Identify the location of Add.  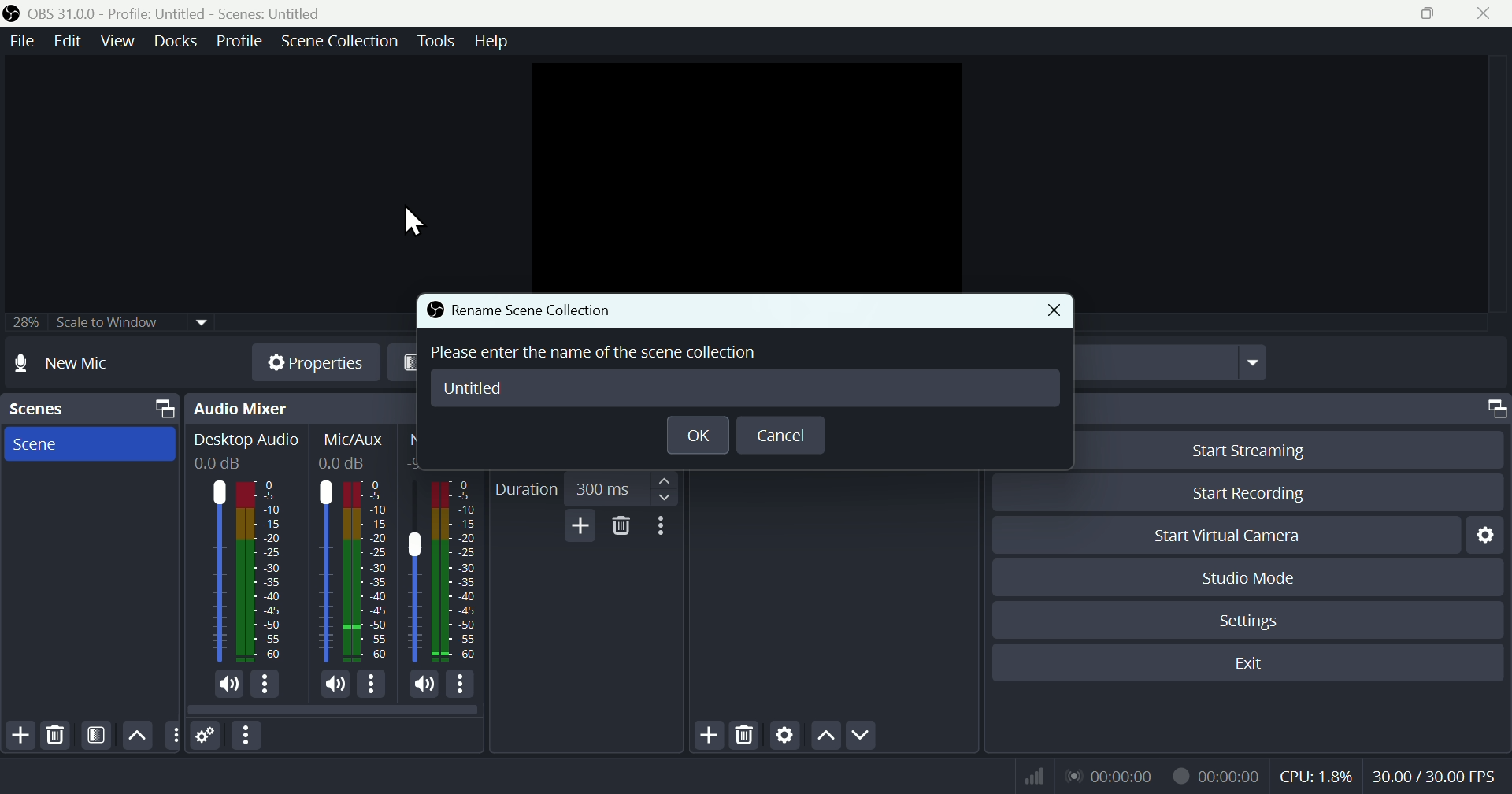
(700, 736).